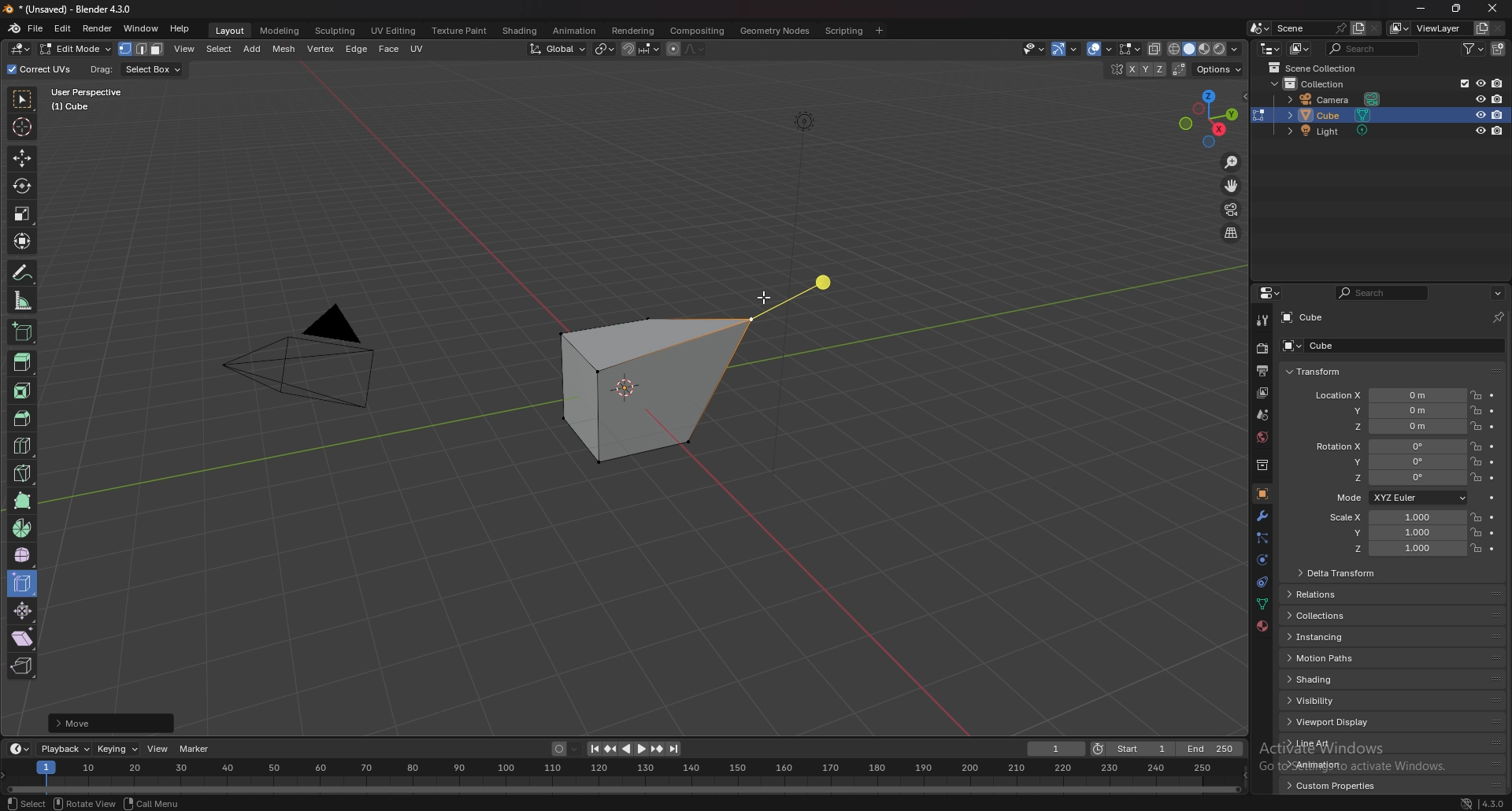 This screenshot has width=1512, height=811. What do you see at coordinates (657, 750) in the screenshot?
I see `jump to keyframe` at bounding box center [657, 750].